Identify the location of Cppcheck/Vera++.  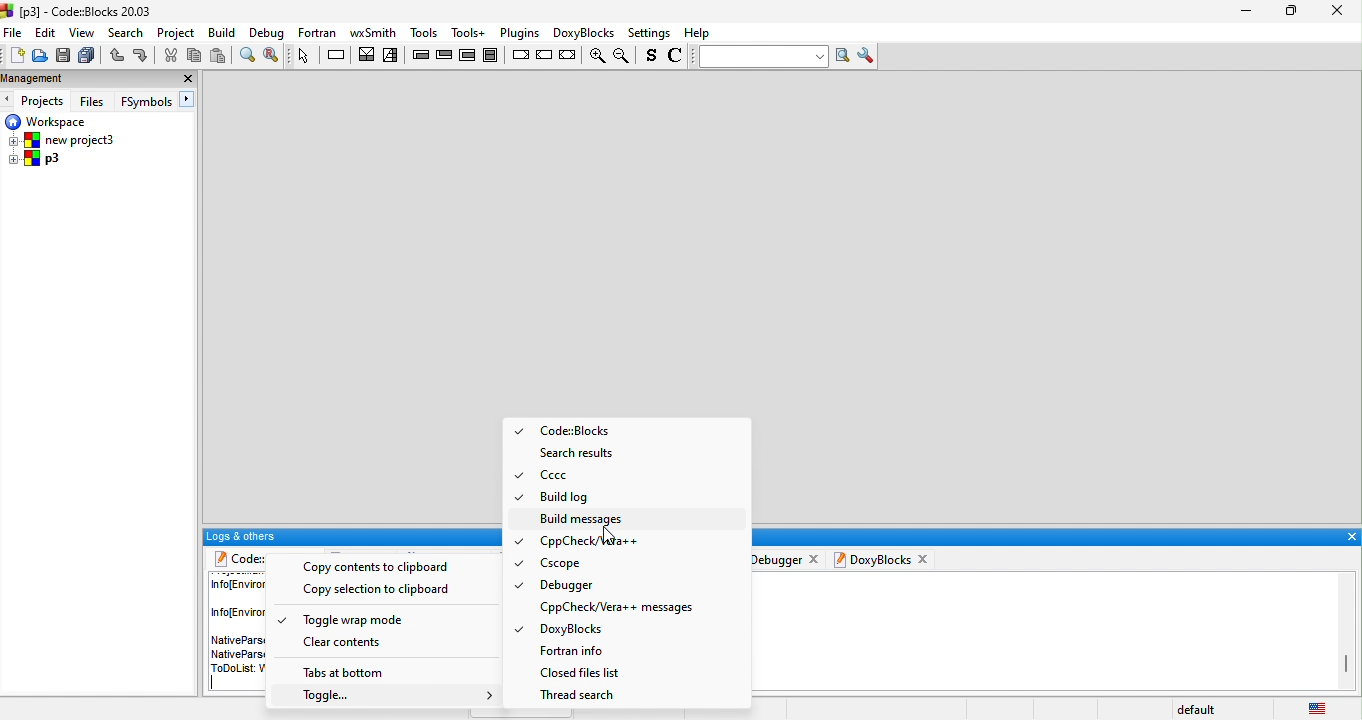
(591, 541).